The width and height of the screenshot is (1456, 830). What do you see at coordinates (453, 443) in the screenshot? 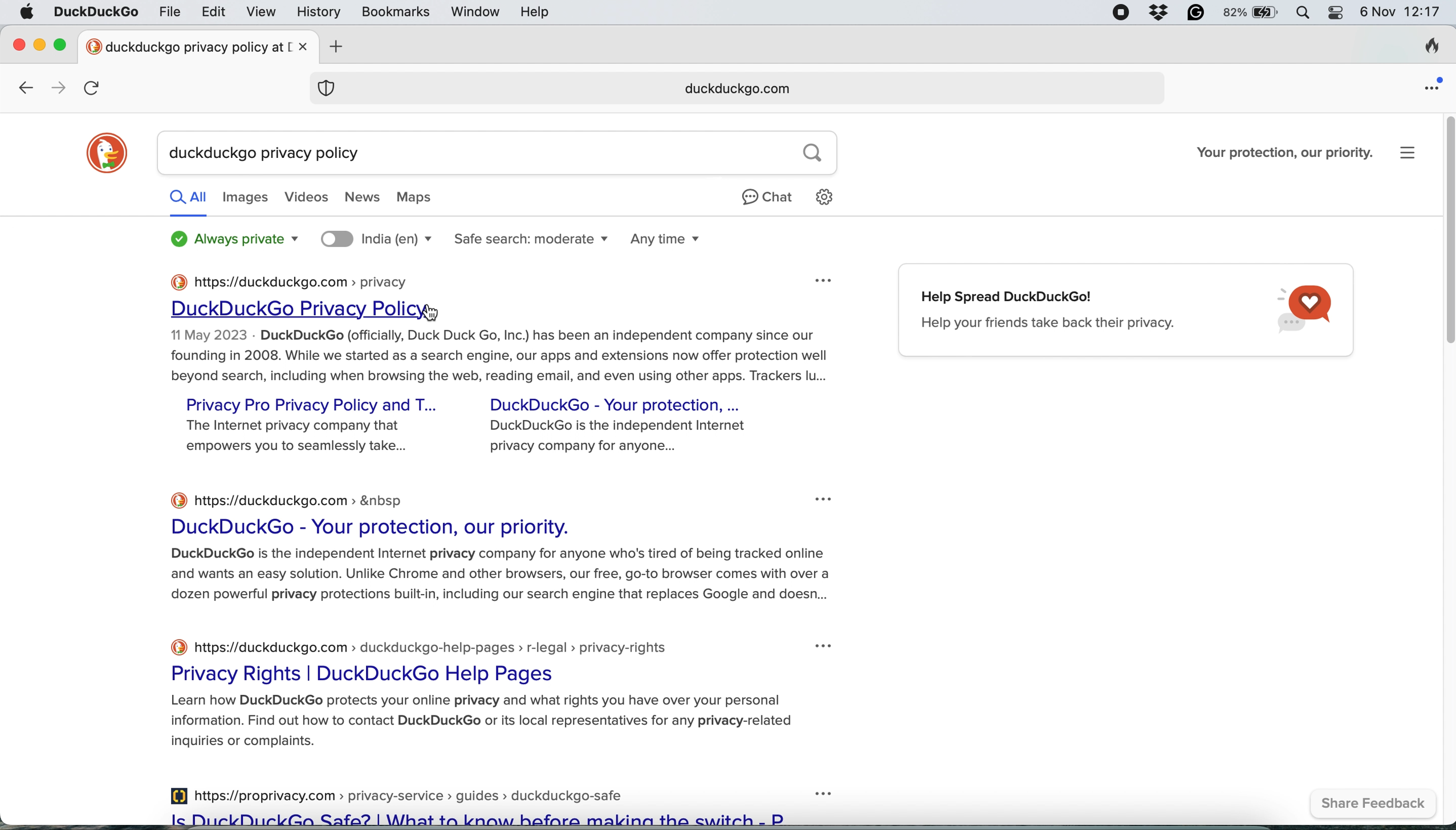
I see `The Internet privacy company that DuckDuckGo is the independent Internet
empowers you to seamlessly take... privacy company for anyone...` at bounding box center [453, 443].